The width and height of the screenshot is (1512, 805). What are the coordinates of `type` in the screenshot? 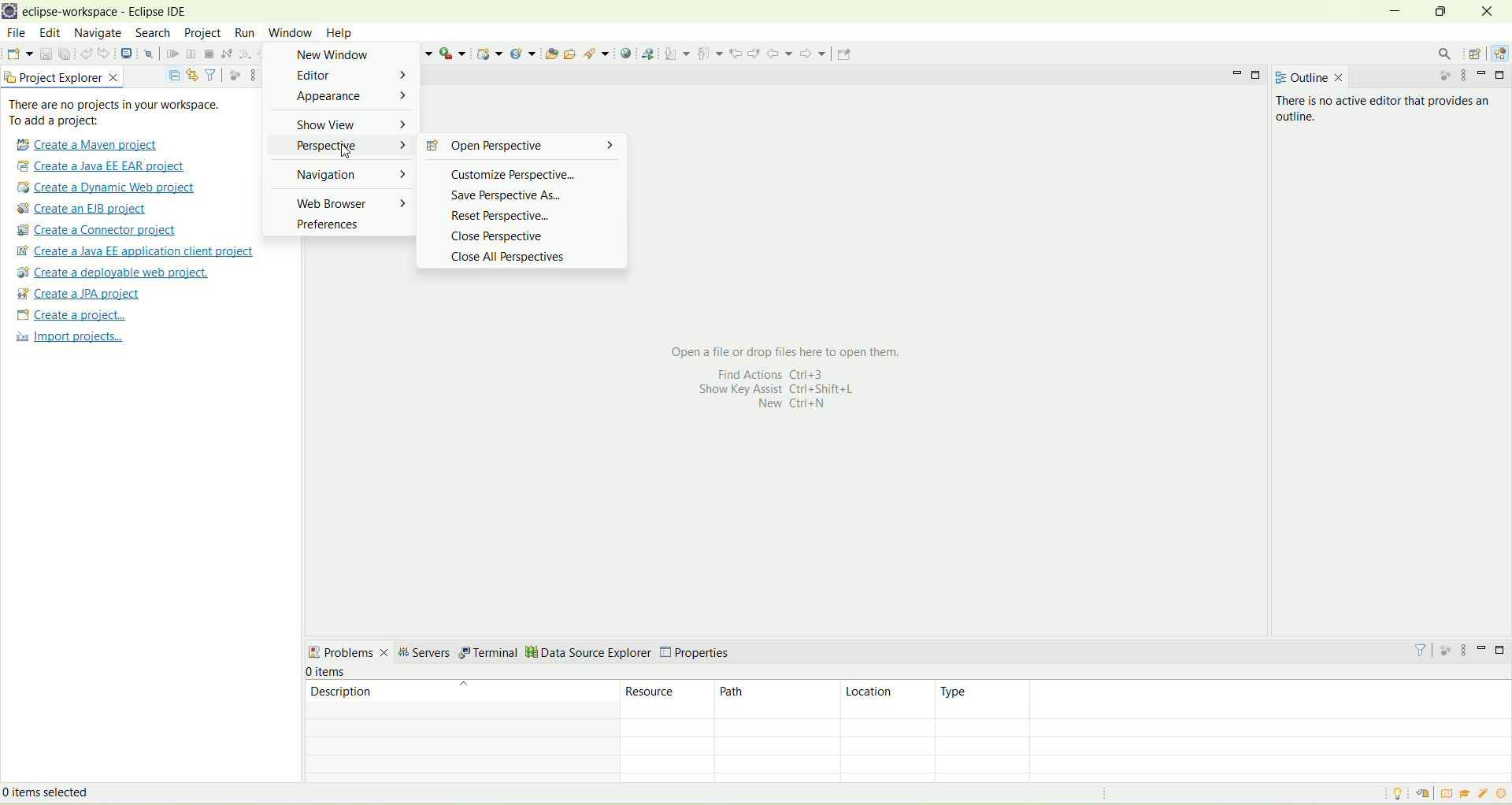 It's located at (1225, 699).